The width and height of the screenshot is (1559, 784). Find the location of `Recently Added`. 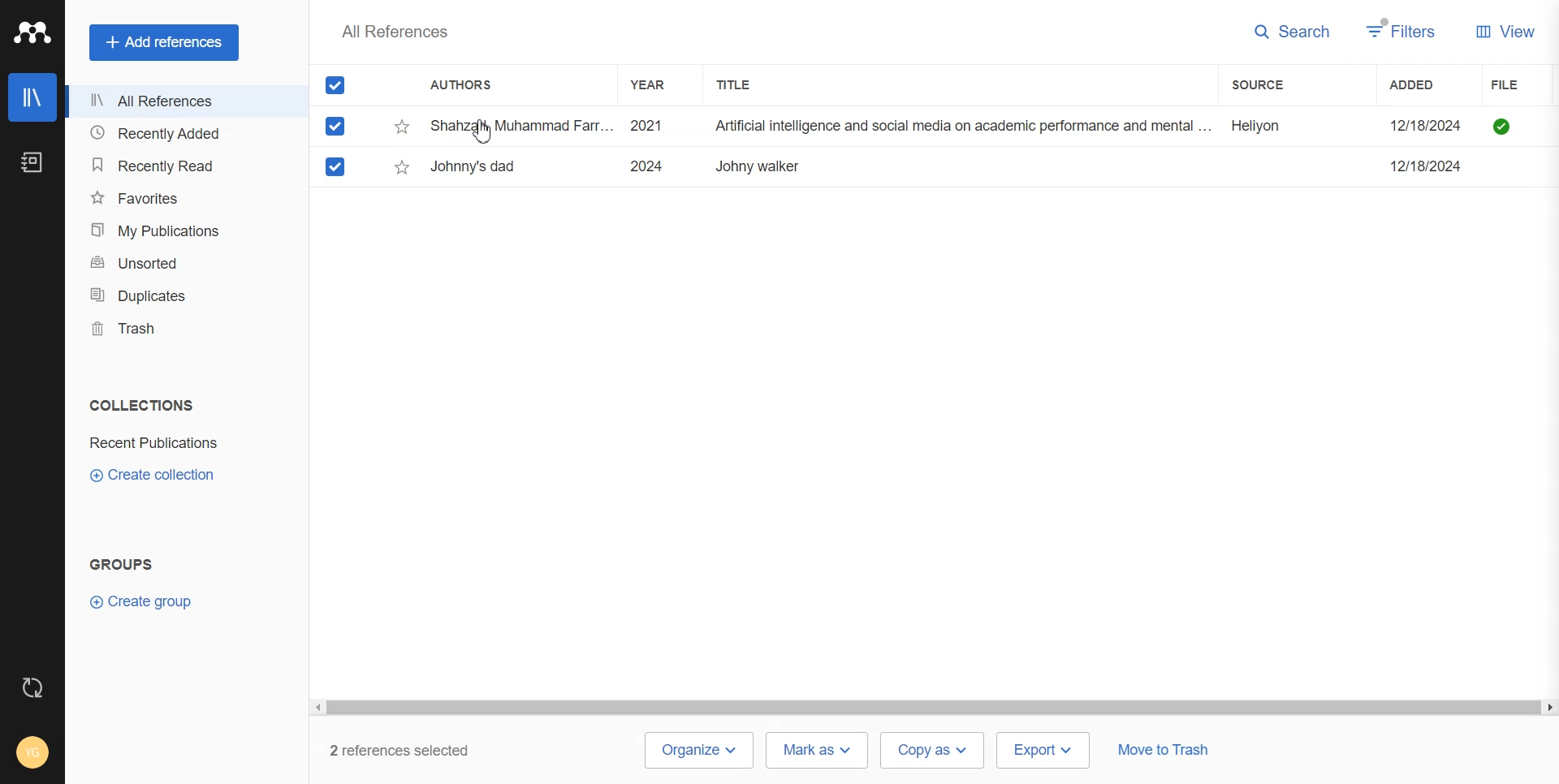

Recently Added is located at coordinates (181, 134).